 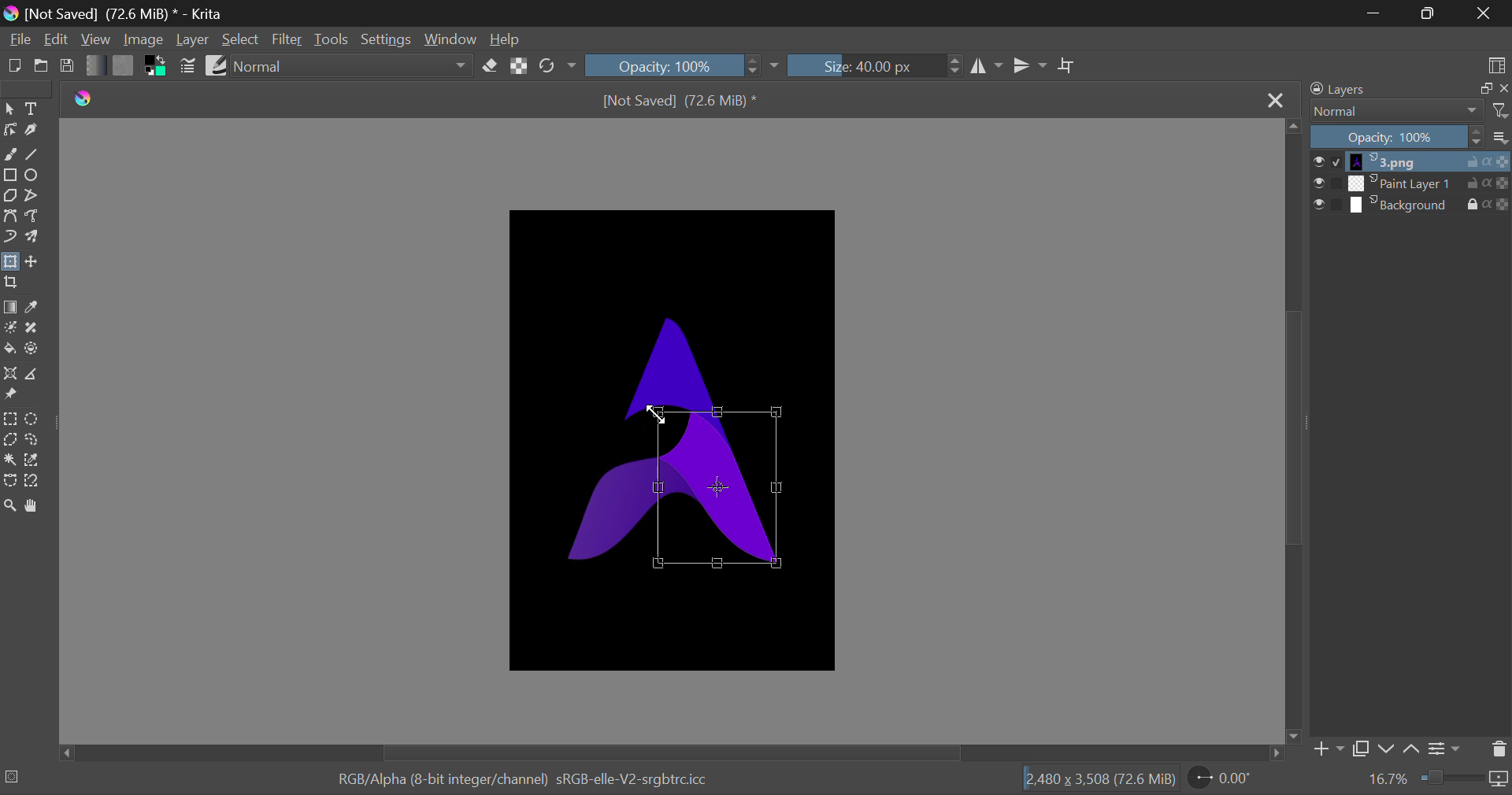 What do you see at coordinates (1388, 778) in the screenshot?
I see `Zoom value` at bounding box center [1388, 778].